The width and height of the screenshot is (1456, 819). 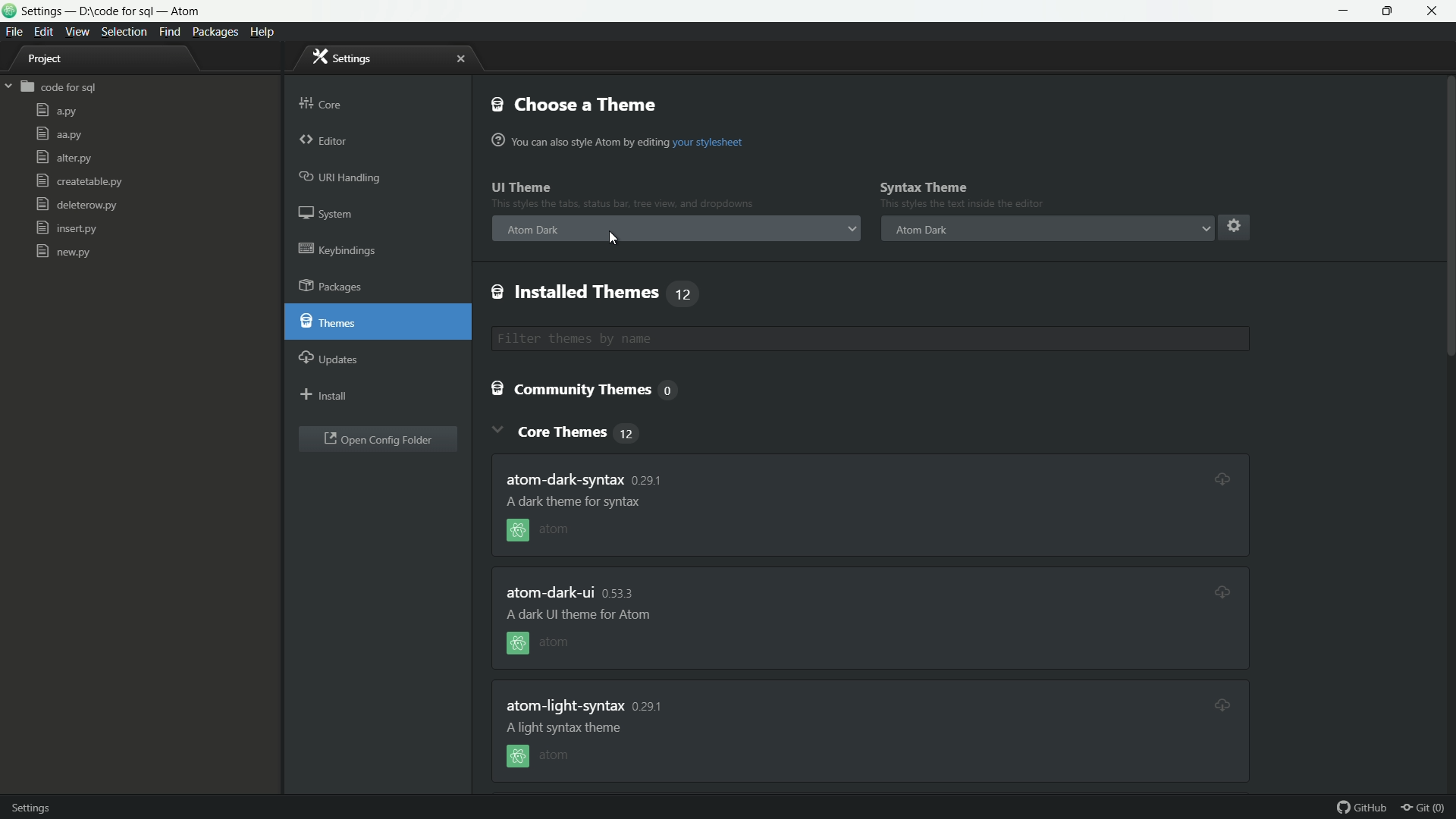 What do you see at coordinates (620, 142) in the screenshot?
I see `® You can also style Atom by editing your stylesheet` at bounding box center [620, 142].